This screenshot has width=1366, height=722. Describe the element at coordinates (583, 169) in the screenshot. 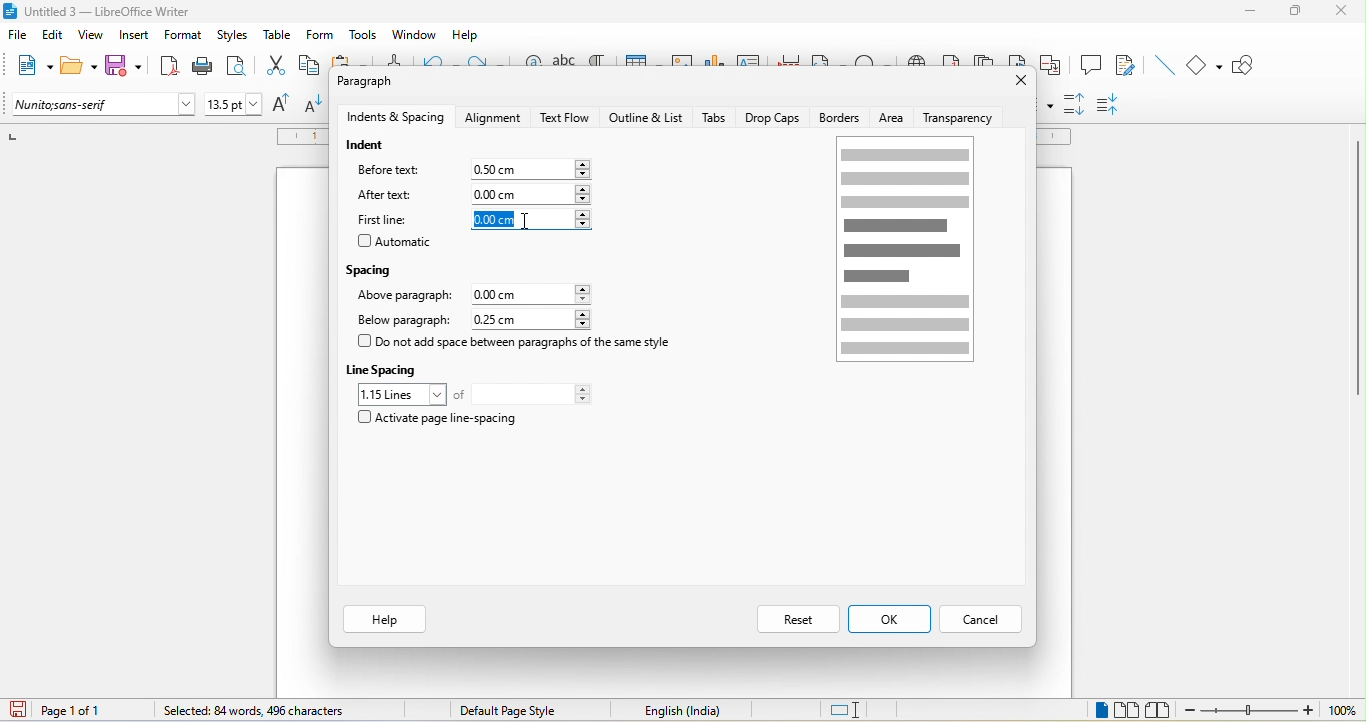

I see `increase or decrease` at that location.